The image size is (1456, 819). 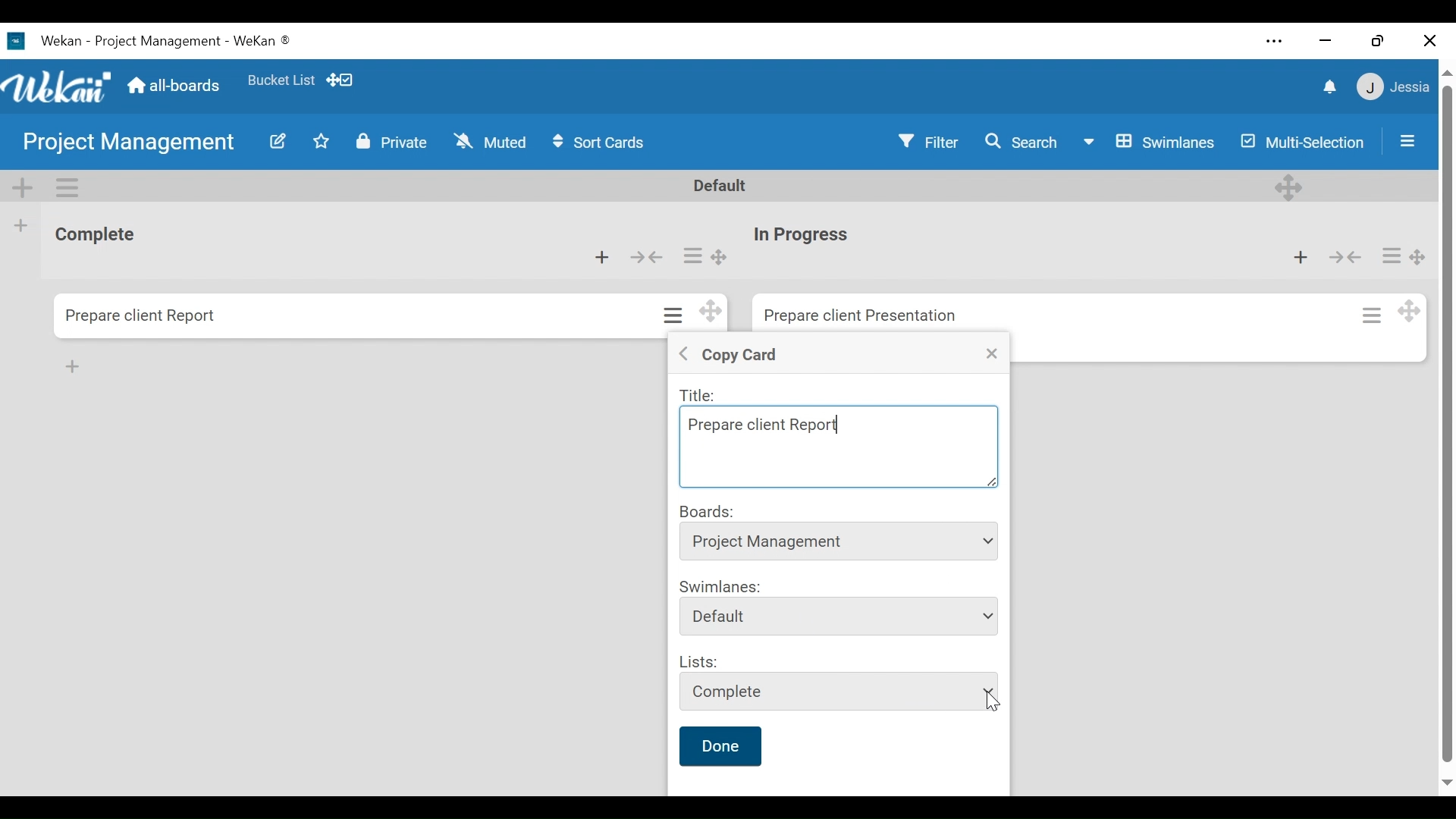 I want to click on Swimlanes, so click(x=720, y=586).